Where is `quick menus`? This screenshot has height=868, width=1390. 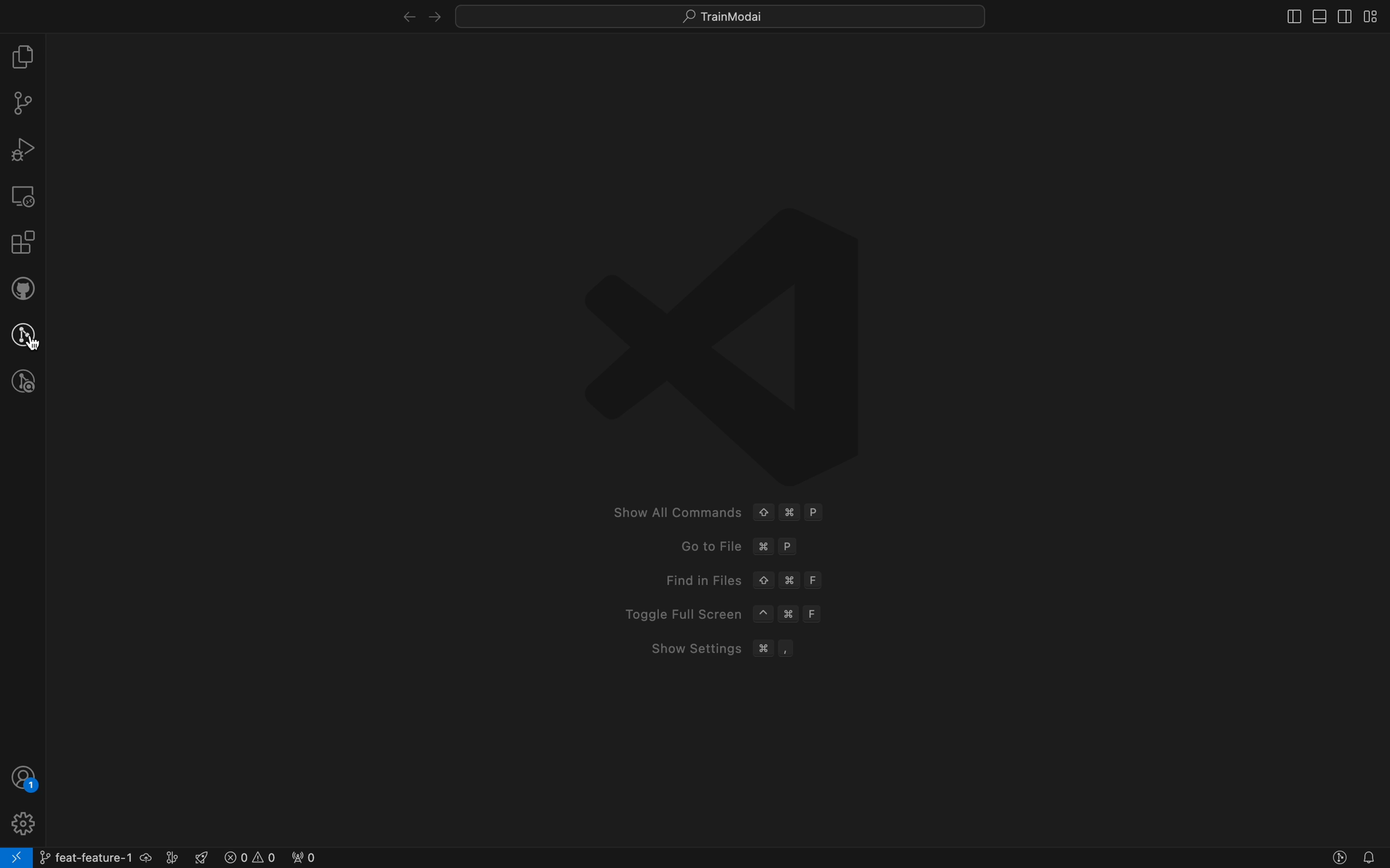 quick menus is located at coordinates (721, 14).